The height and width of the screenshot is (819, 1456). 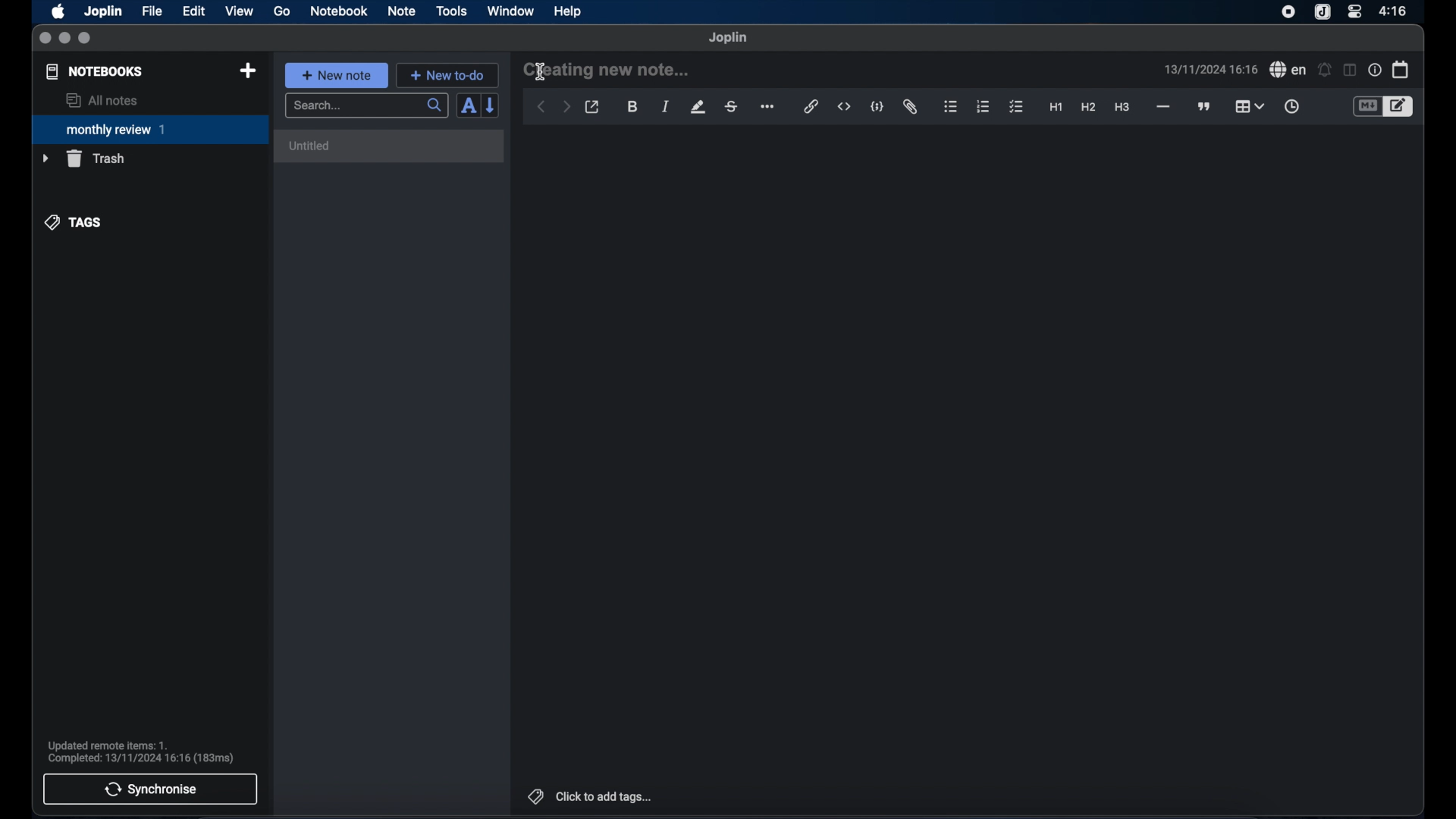 I want to click on more options, so click(x=769, y=108).